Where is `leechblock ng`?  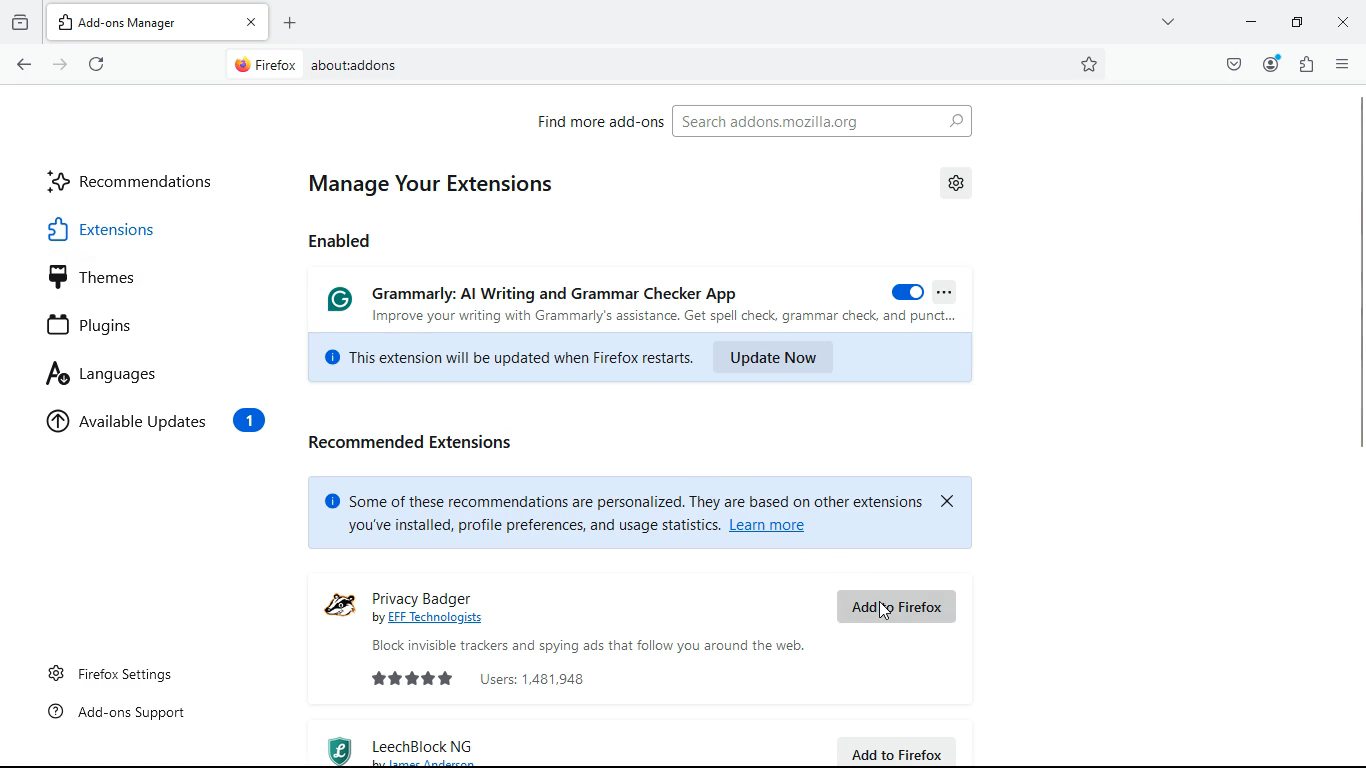 leechblock ng is located at coordinates (429, 745).